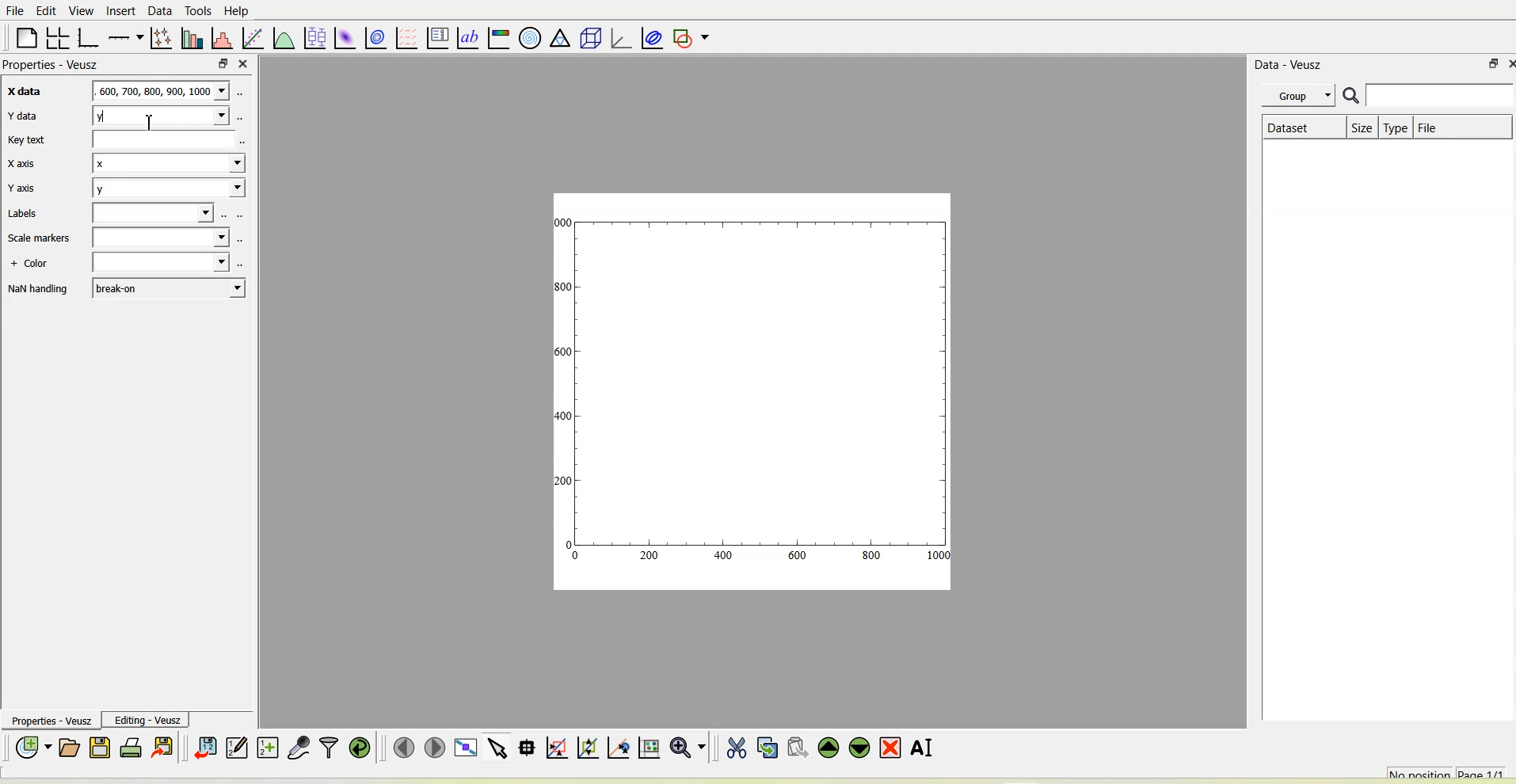 The height and width of the screenshot is (784, 1516). I want to click on Properties - Veusz, so click(53, 66).